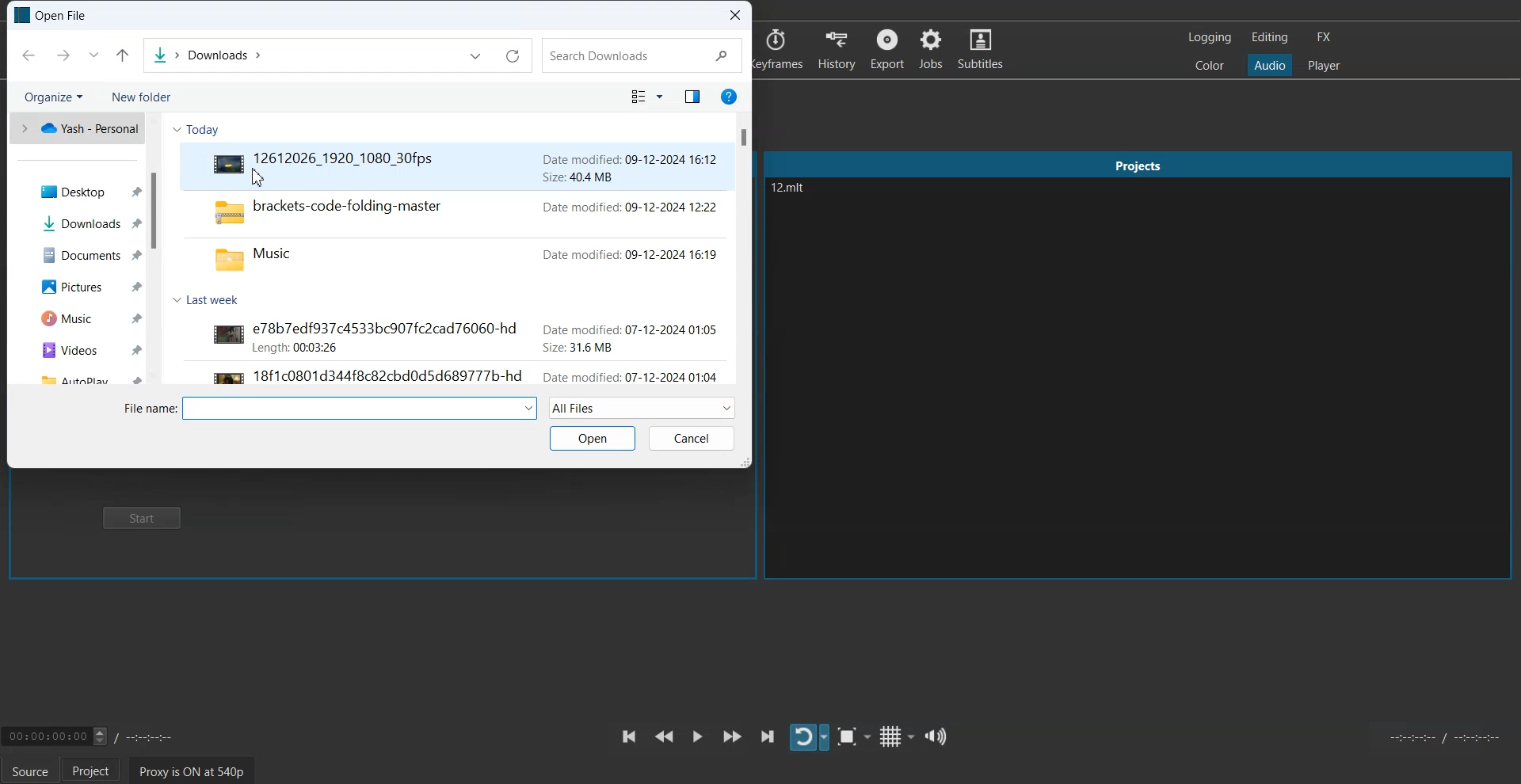  Describe the element at coordinates (78, 191) in the screenshot. I see `Desktop` at that location.